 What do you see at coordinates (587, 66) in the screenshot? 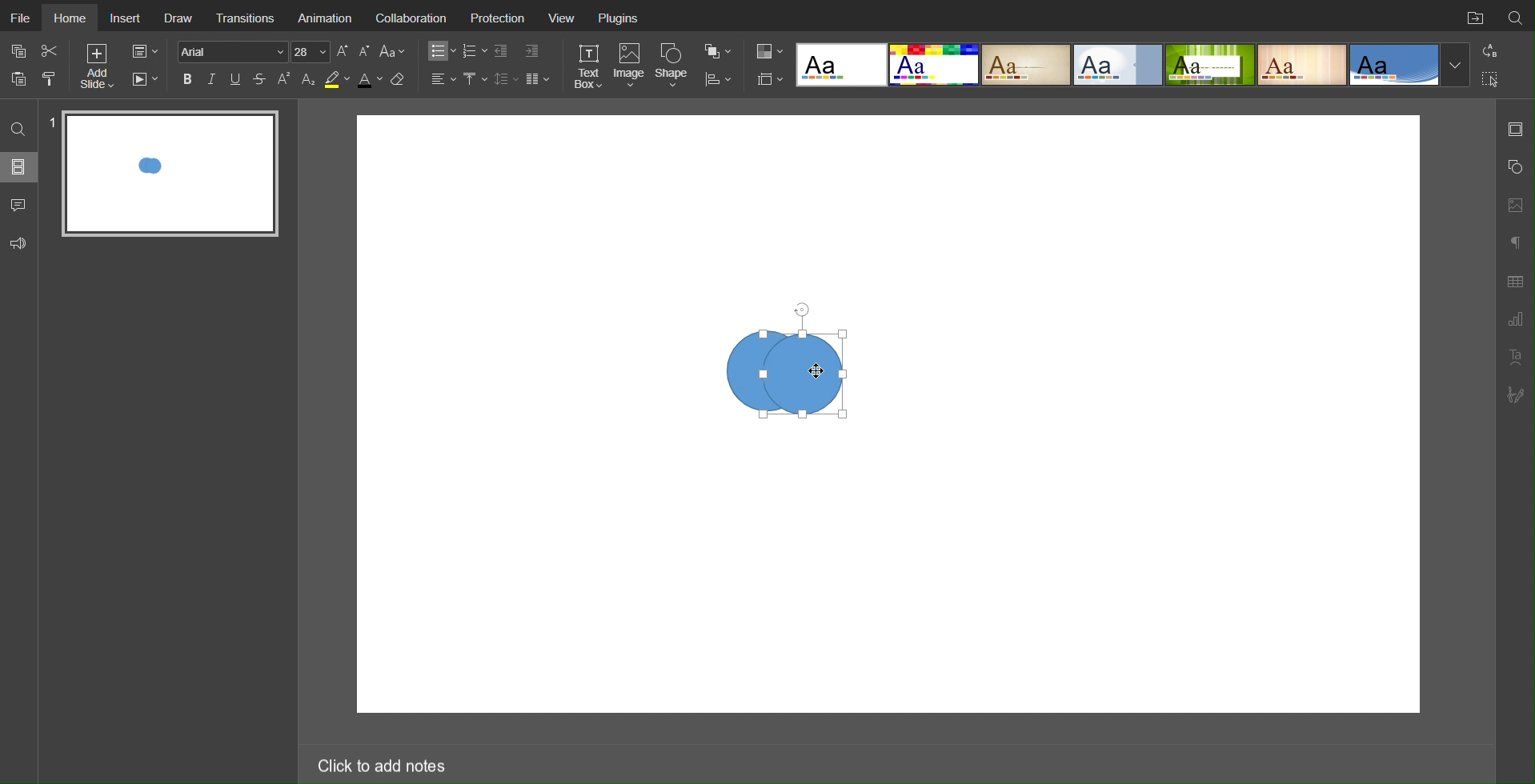
I see `Text Box` at bounding box center [587, 66].